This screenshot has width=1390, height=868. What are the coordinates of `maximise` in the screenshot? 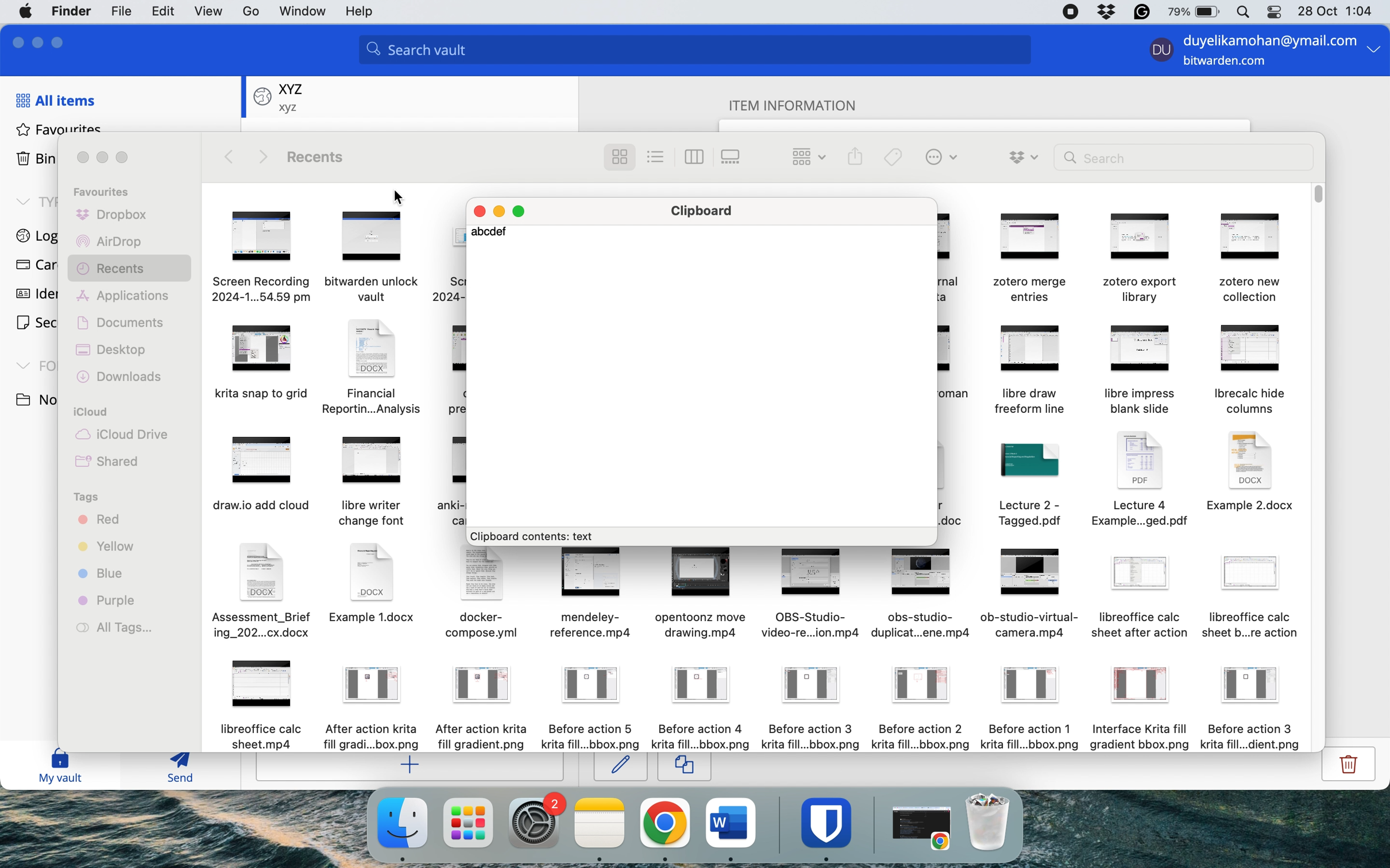 It's located at (524, 211).